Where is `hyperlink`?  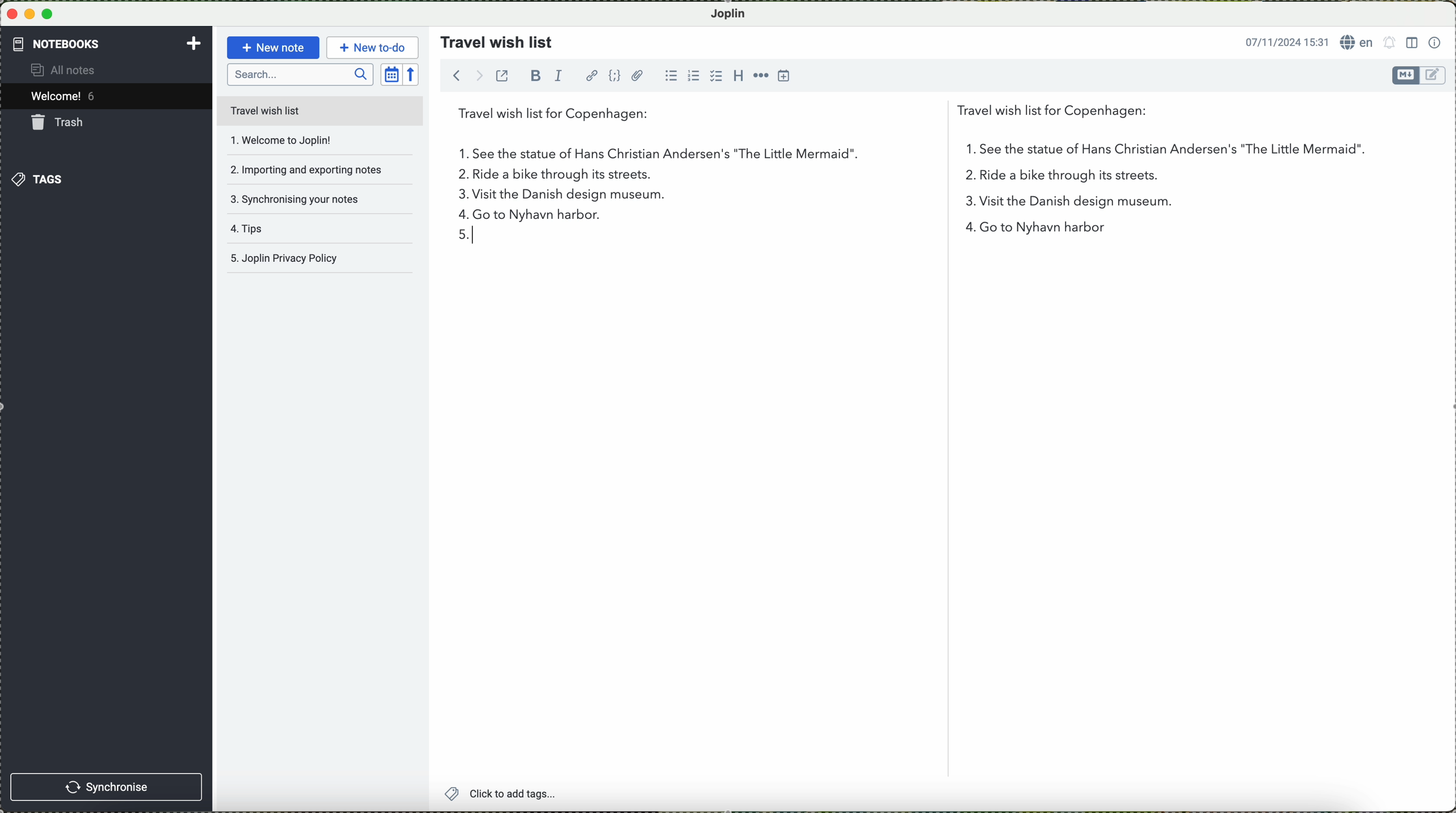 hyperlink is located at coordinates (591, 75).